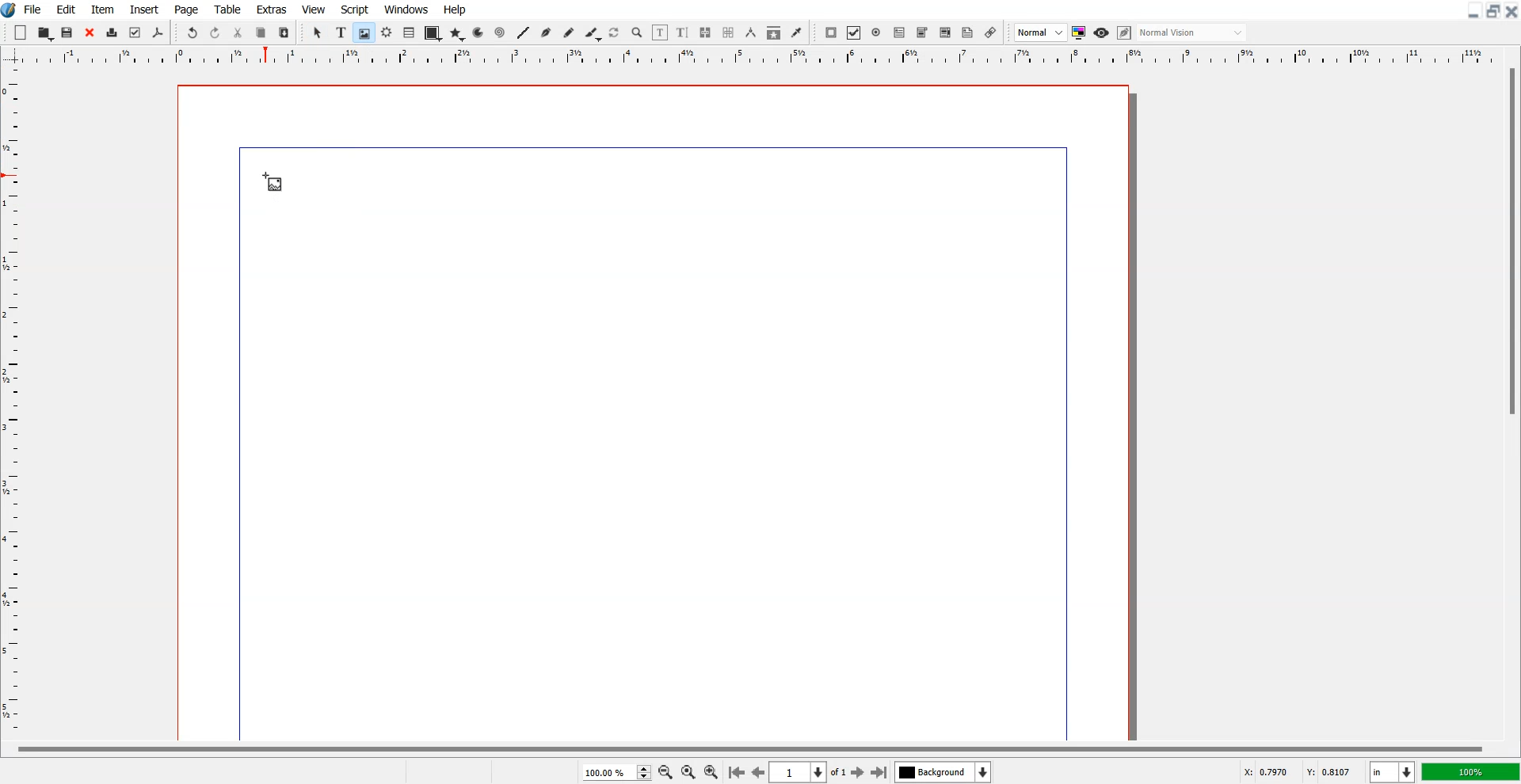  Describe the element at coordinates (66, 9) in the screenshot. I see `Edit` at that location.